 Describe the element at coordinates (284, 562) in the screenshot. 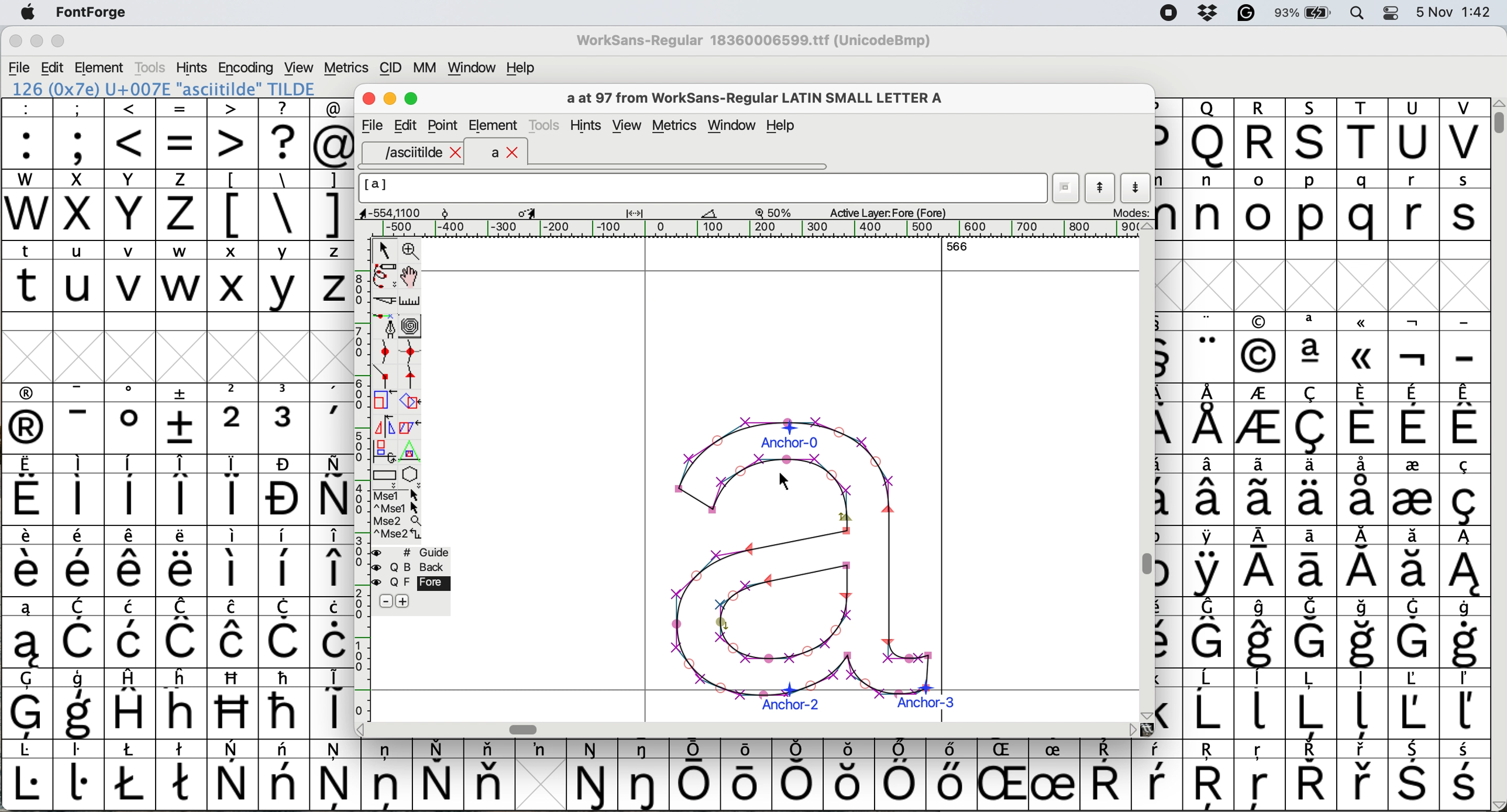

I see `symbol` at that location.